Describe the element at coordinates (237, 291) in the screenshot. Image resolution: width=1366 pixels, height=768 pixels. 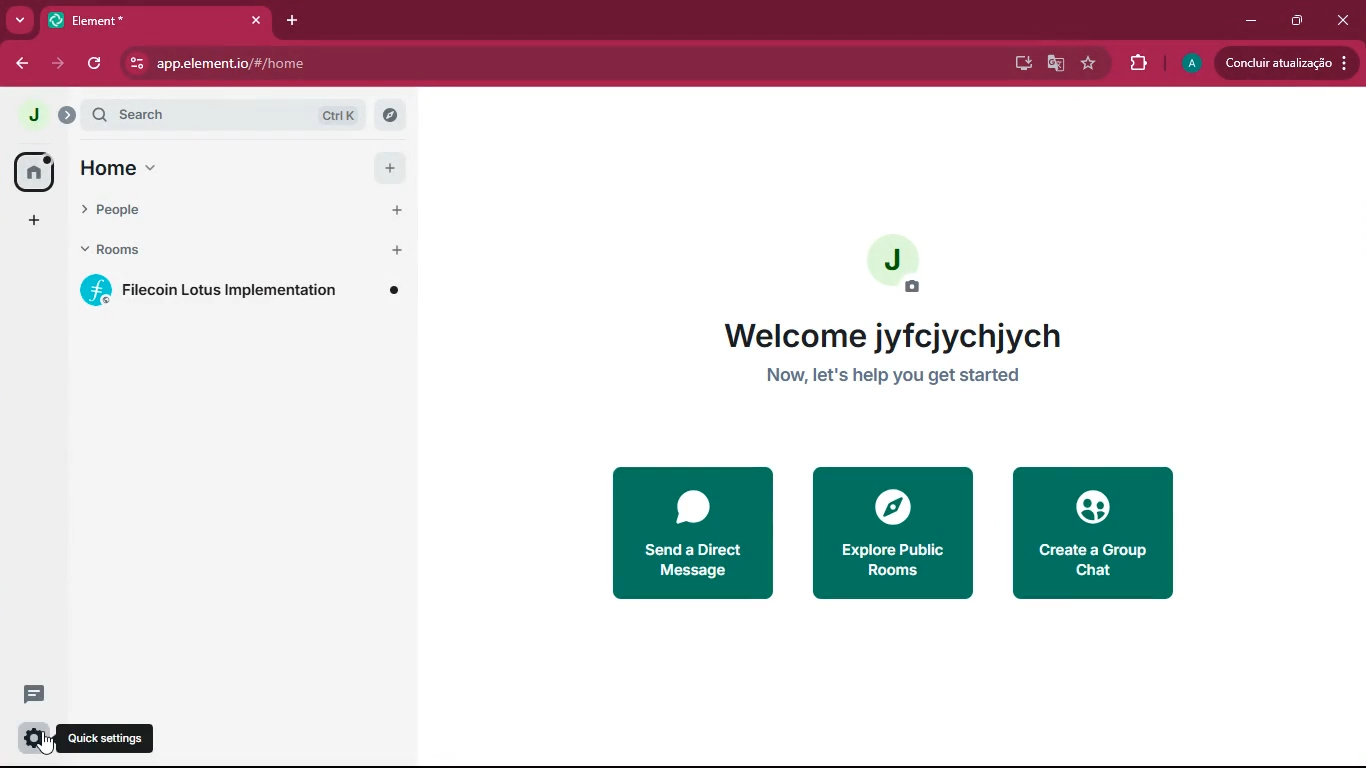
I see `Filecoin Lotus Implementation` at that location.